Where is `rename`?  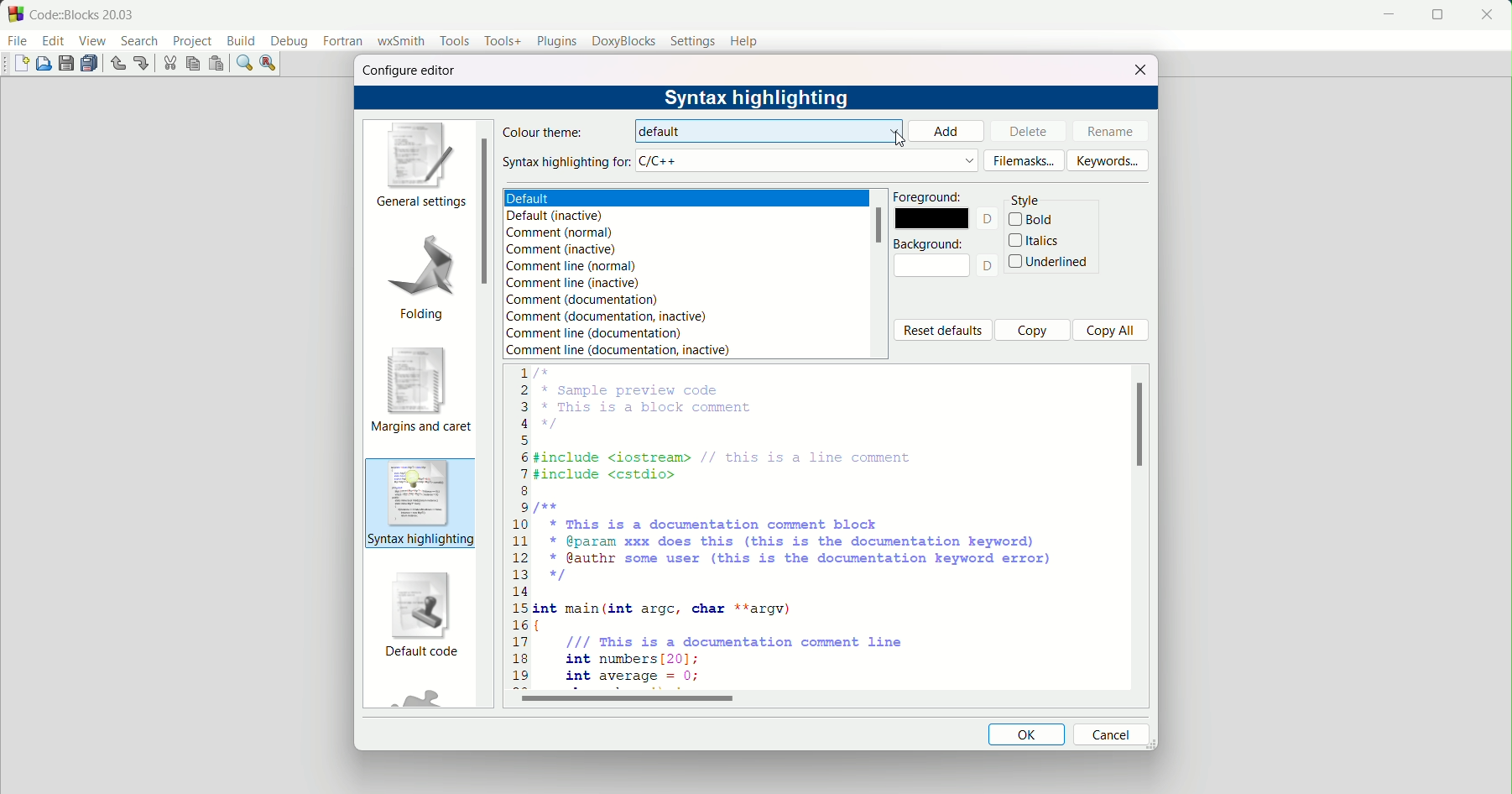
rename is located at coordinates (1107, 130).